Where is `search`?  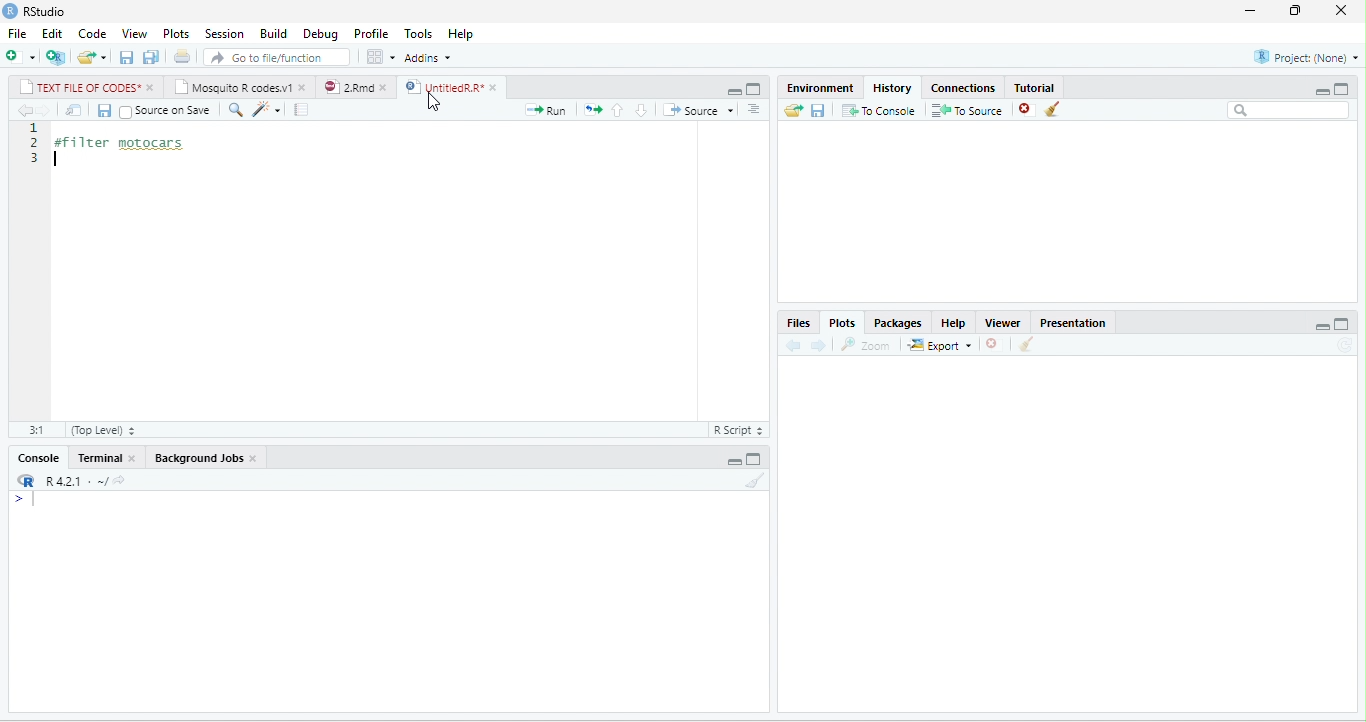 search is located at coordinates (235, 110).